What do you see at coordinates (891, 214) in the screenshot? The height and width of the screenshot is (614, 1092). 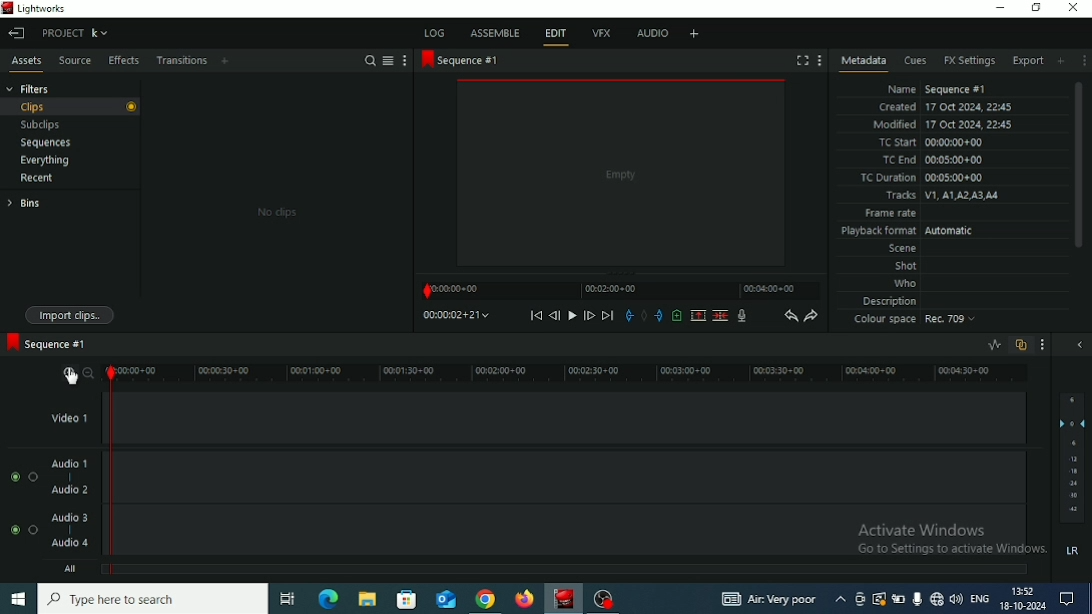 I see `Frame rate` at bounding box center [891, 214].